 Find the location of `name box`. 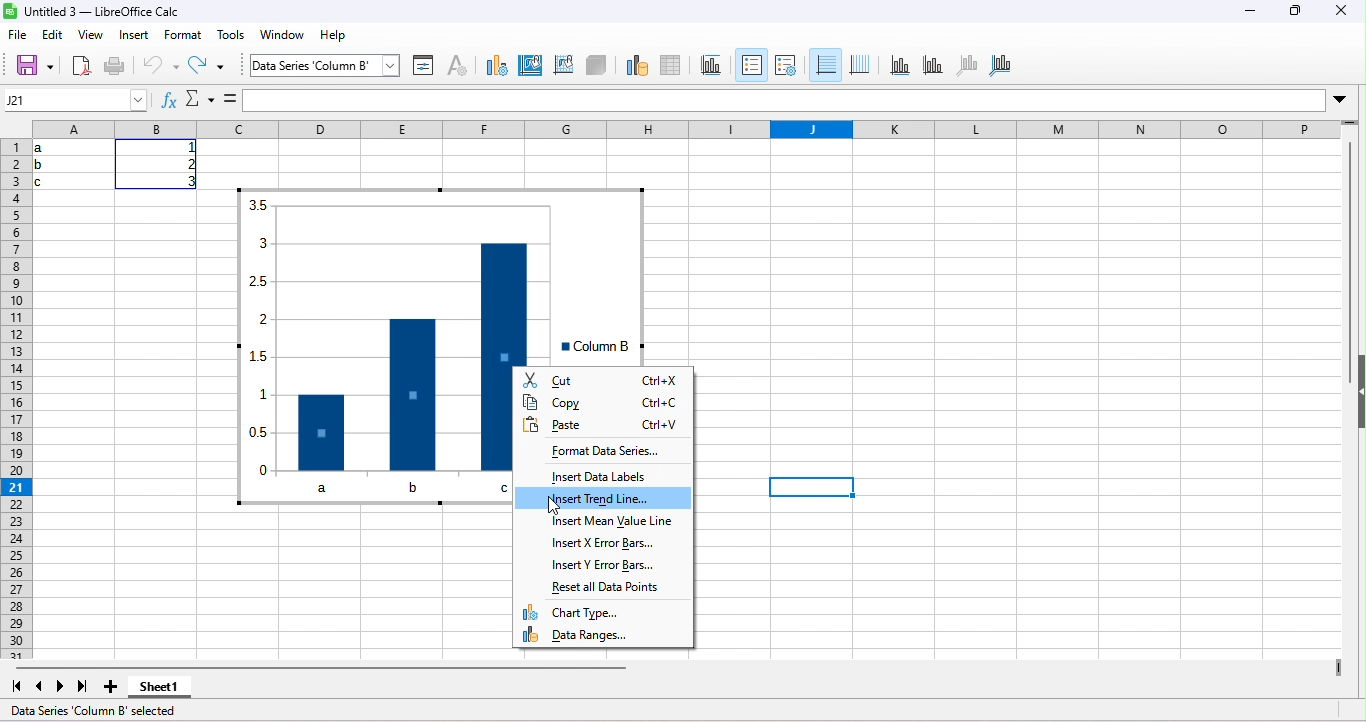

name box is located at coordinates (76, 101).